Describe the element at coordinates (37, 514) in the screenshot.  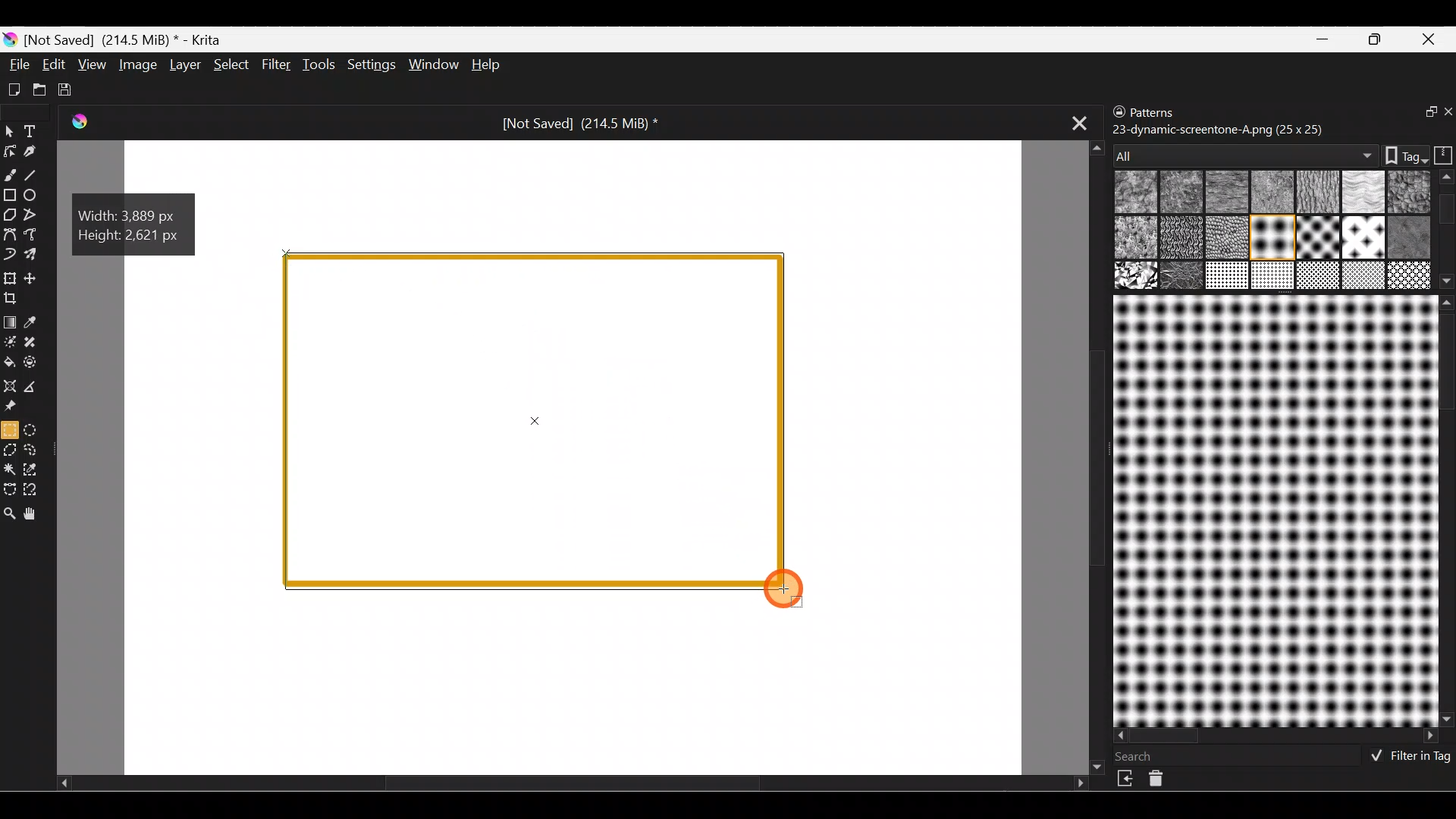
I see `Pan tool` at that location.